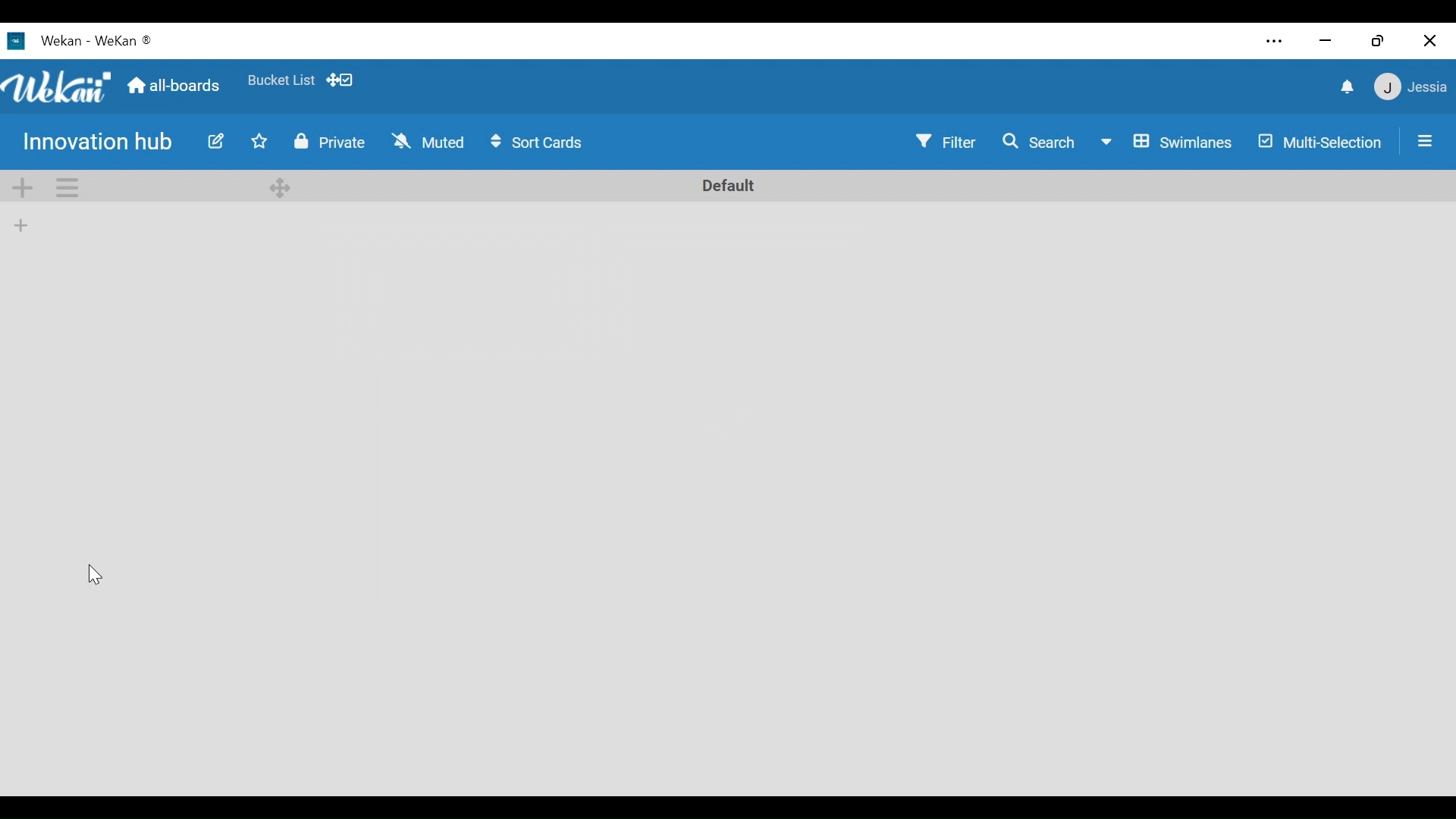 The height and width of the screenshot is (819, 1456). What do you see at coordinates (1273, 42) in the screenshot?
I see `Settings and more` at bounding box center [1273, 42].